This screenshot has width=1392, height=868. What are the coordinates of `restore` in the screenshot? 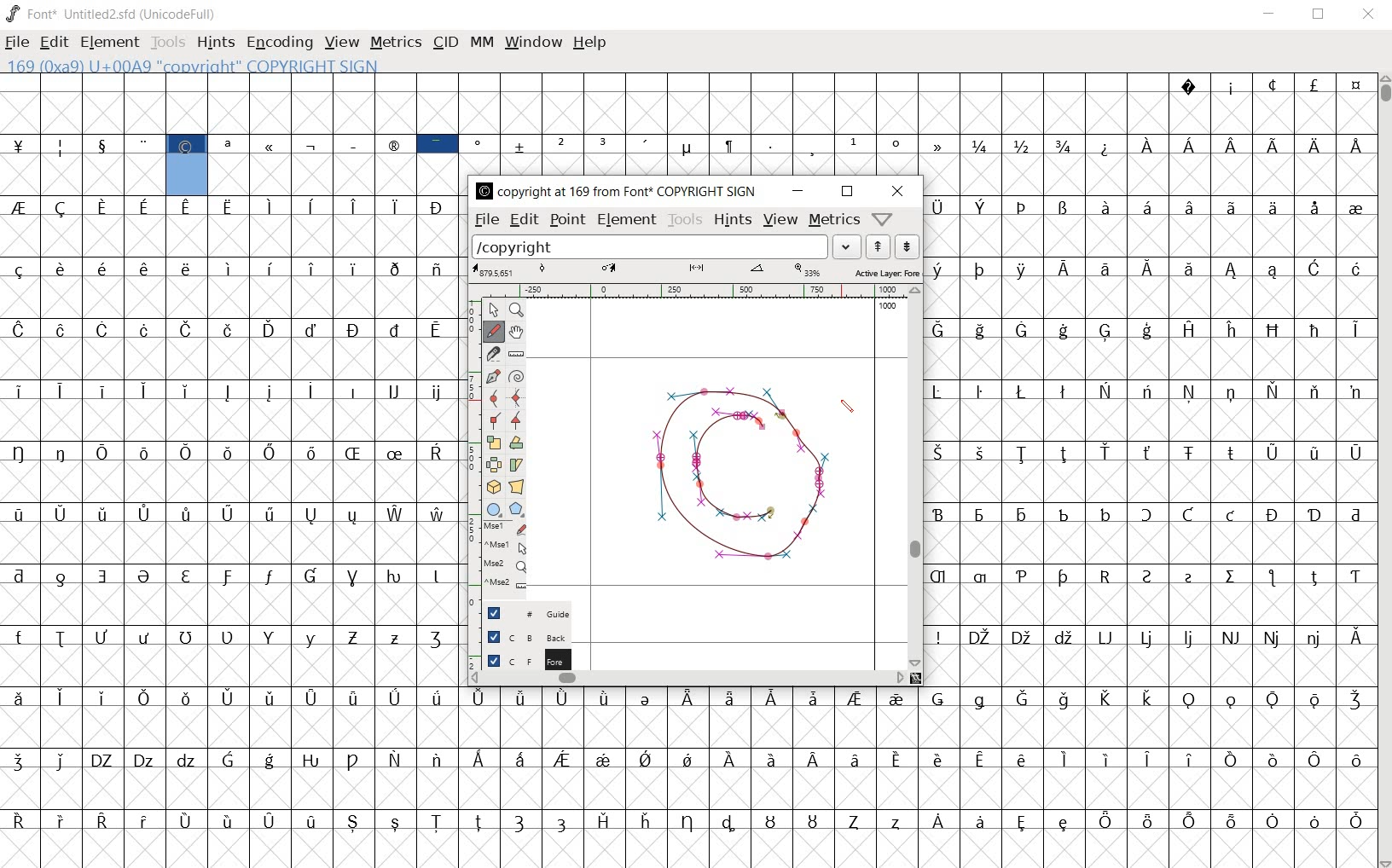 It's located at (848, 192).